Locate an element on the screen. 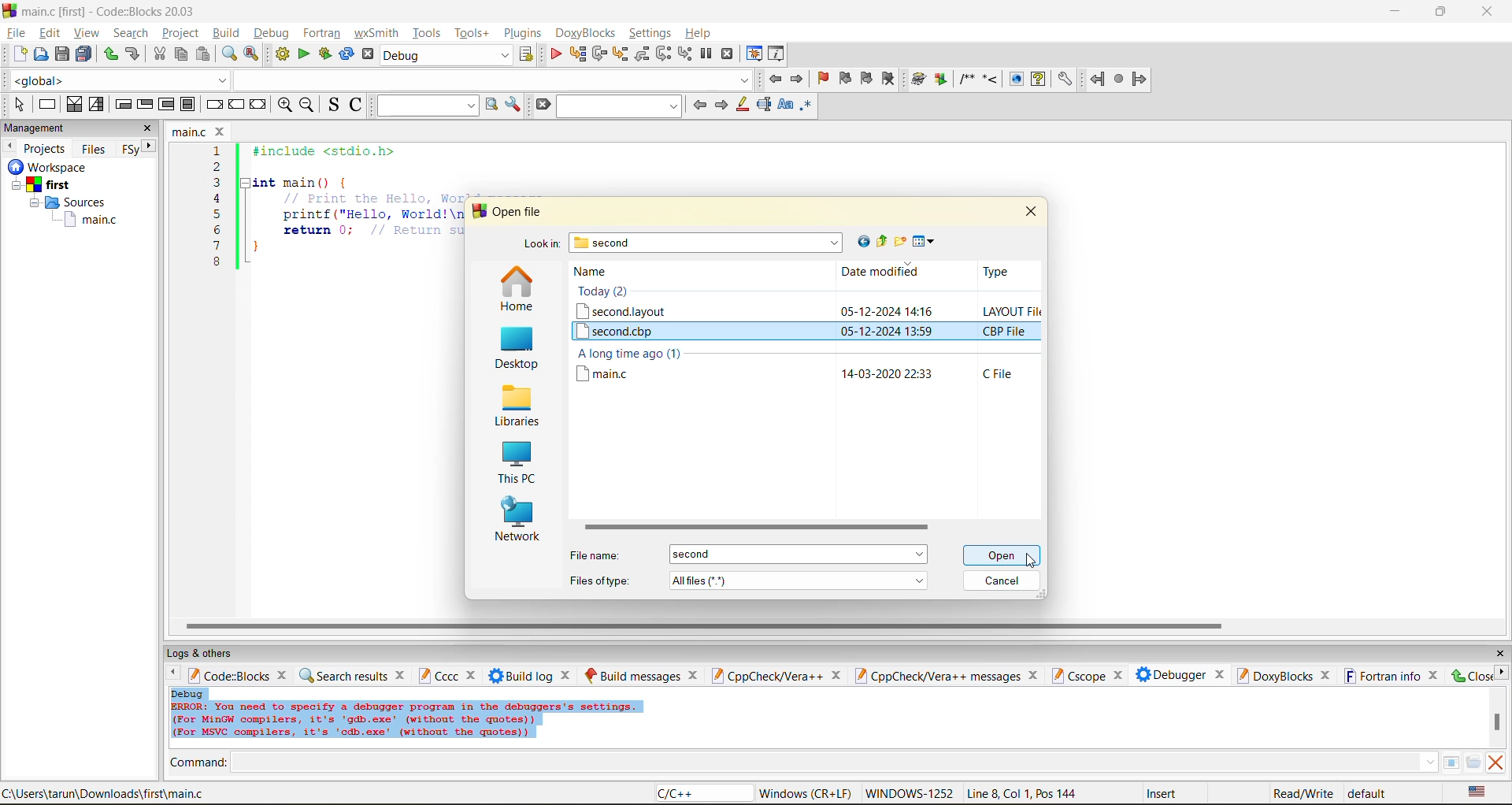 The height and width of the screenshot is (805, 1512). zoom in is located at coordinates (286, 106).